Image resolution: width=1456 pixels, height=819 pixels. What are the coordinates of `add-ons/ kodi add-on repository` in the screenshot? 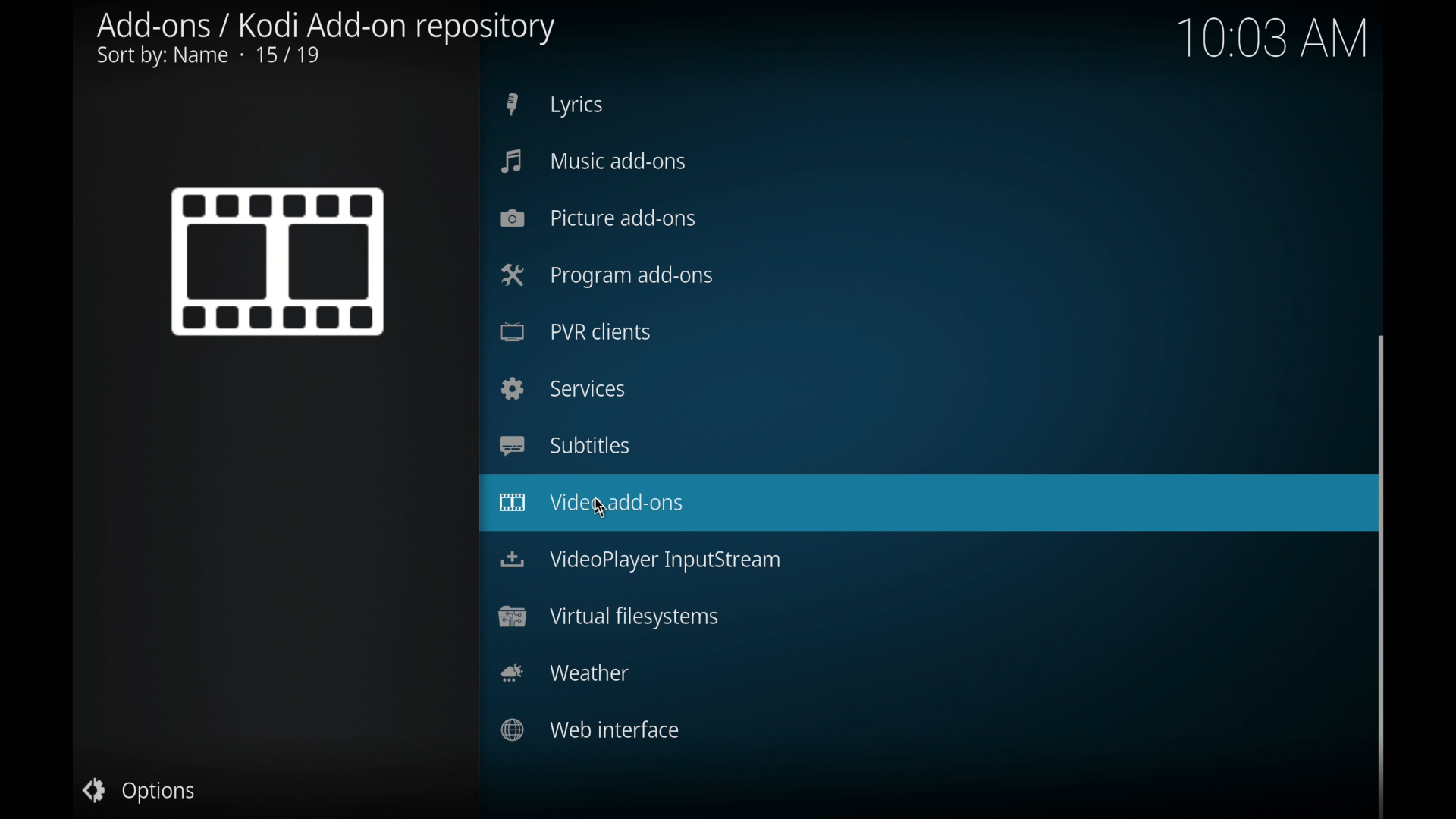 It's located at (327, 40).